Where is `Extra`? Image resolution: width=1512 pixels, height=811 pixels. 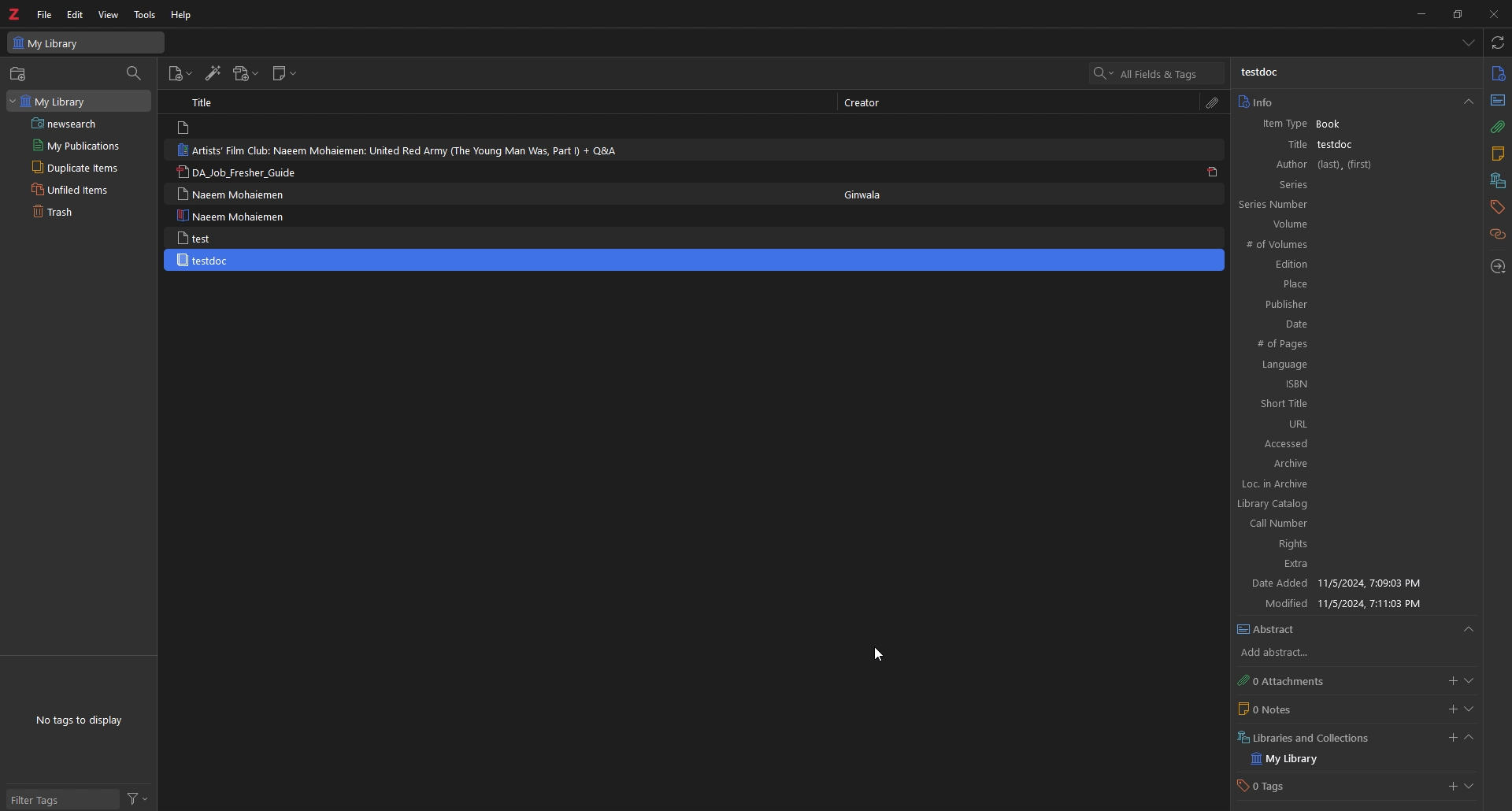
Extra is located at coordinates (1346, 565).